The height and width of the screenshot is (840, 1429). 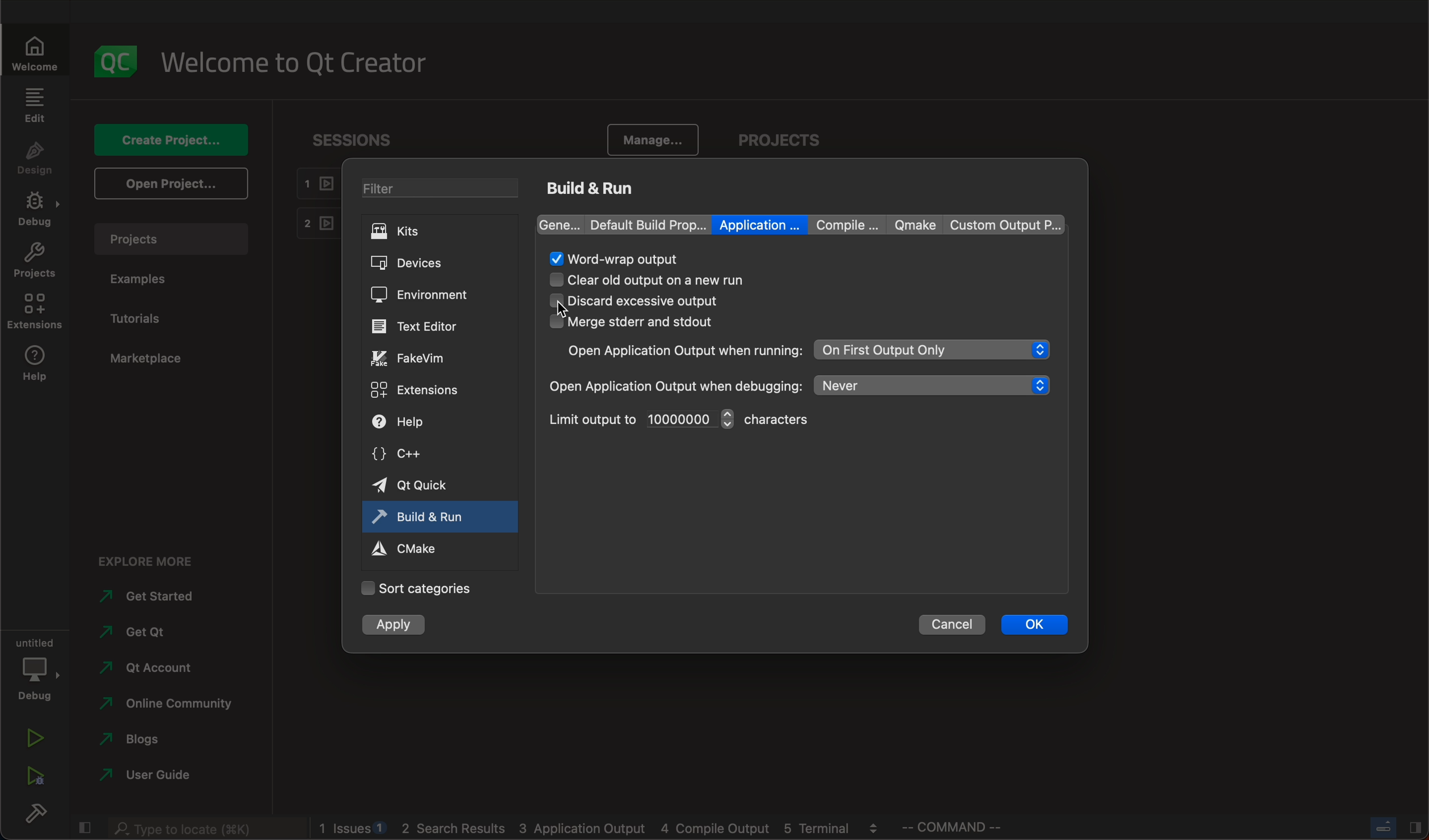 I want to click on compile, so click(x=844, y=226).